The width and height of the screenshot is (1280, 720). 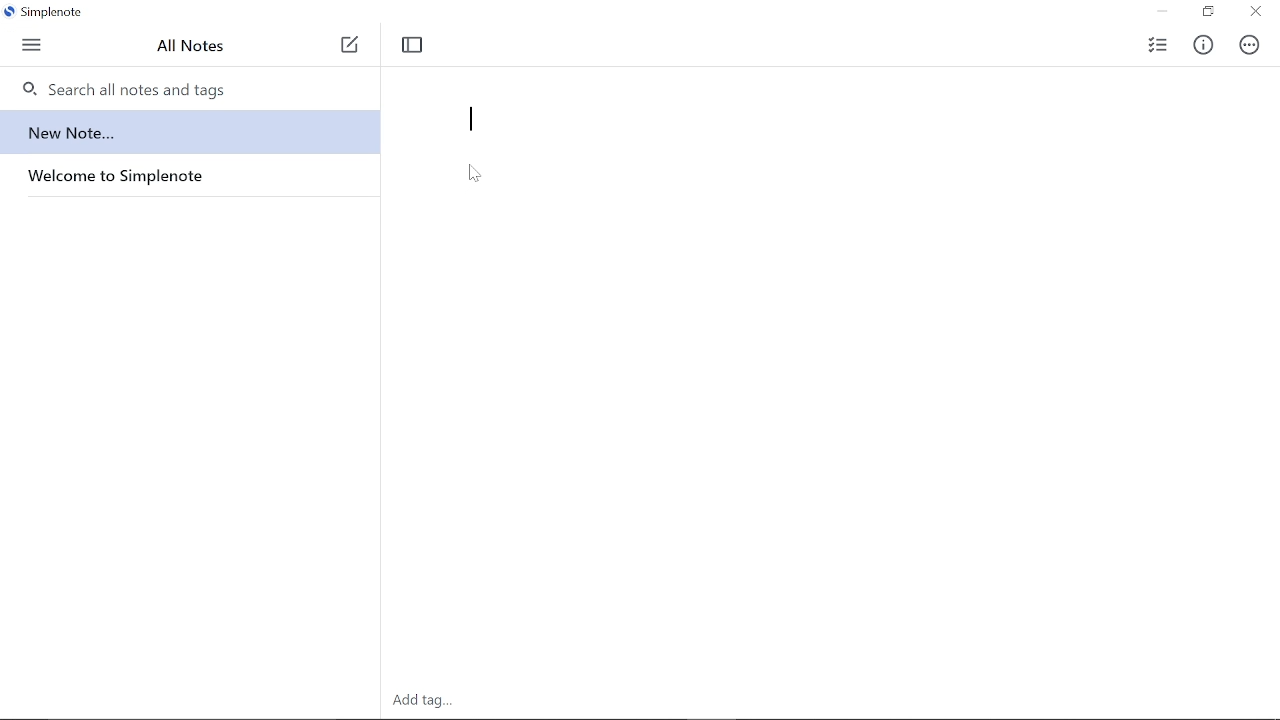 I want to click on Currently opened note, so click(x=184, y=127).